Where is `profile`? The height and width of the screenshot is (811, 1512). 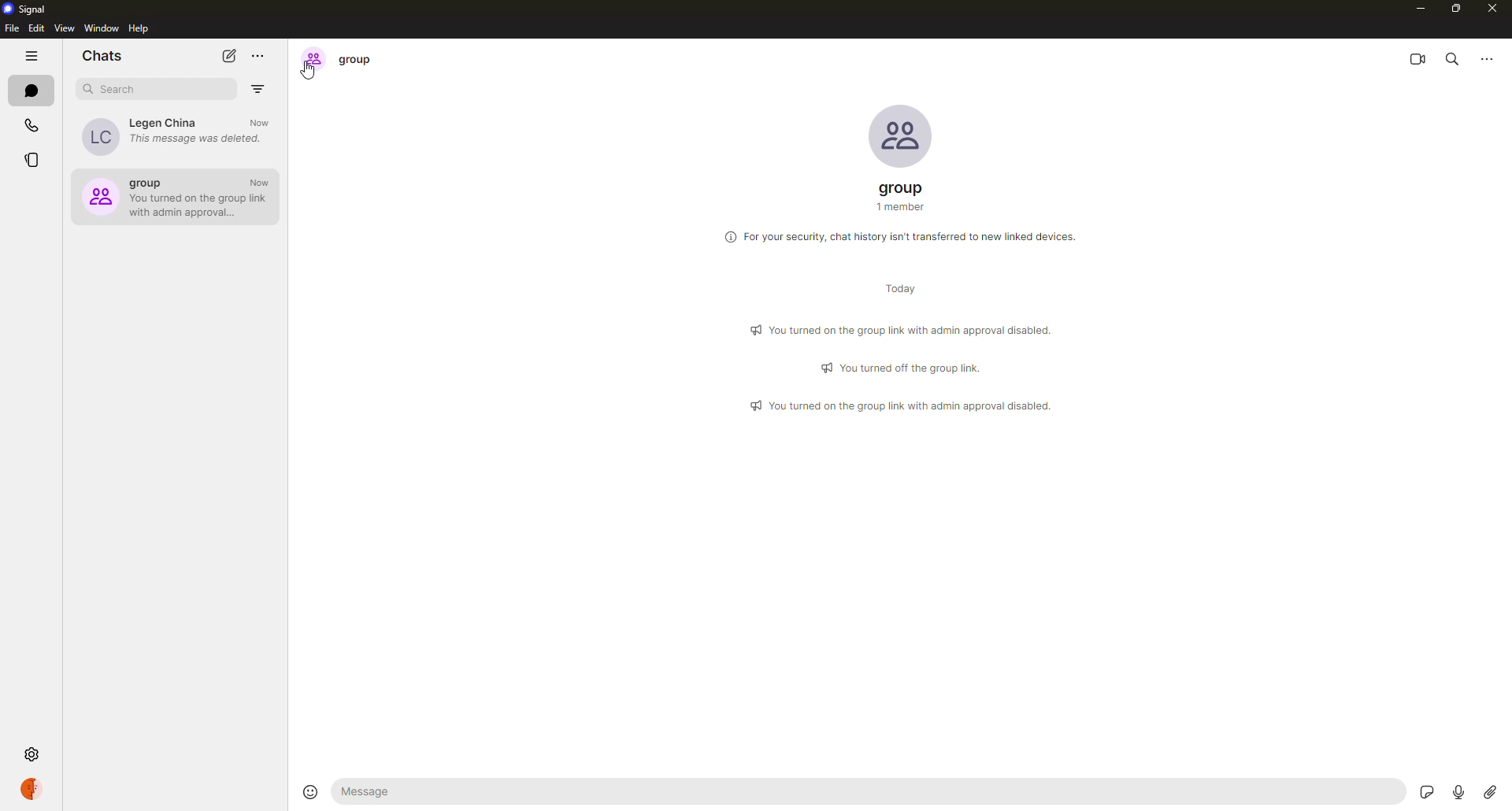
profile is located at coordinates (34, 788).